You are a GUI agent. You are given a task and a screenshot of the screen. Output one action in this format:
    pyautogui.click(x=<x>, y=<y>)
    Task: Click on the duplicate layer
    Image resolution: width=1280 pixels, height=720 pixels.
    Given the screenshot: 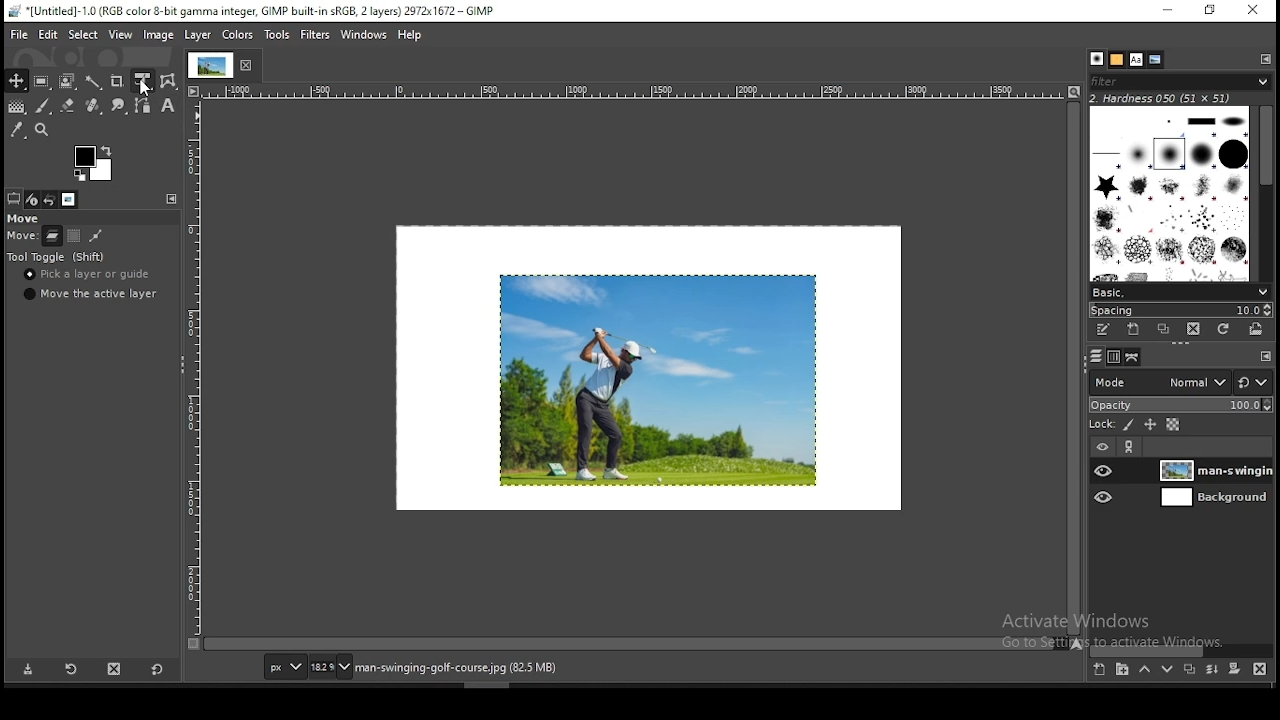 What is the action you would take?
    pyautogui.click(x=1190, y=668)
    